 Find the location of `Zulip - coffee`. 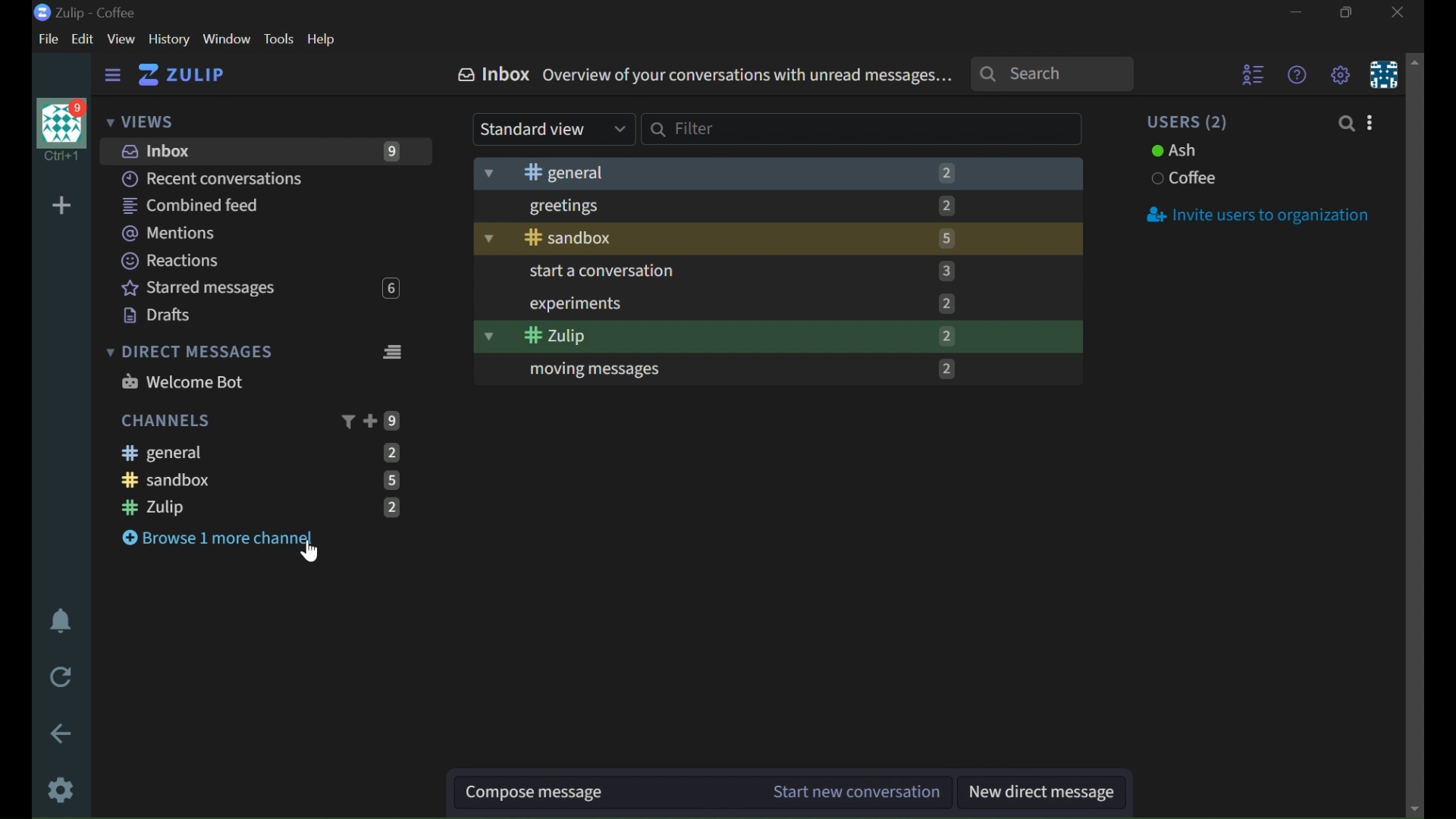

Zulip - coffee is located at coordinates (85, 13).